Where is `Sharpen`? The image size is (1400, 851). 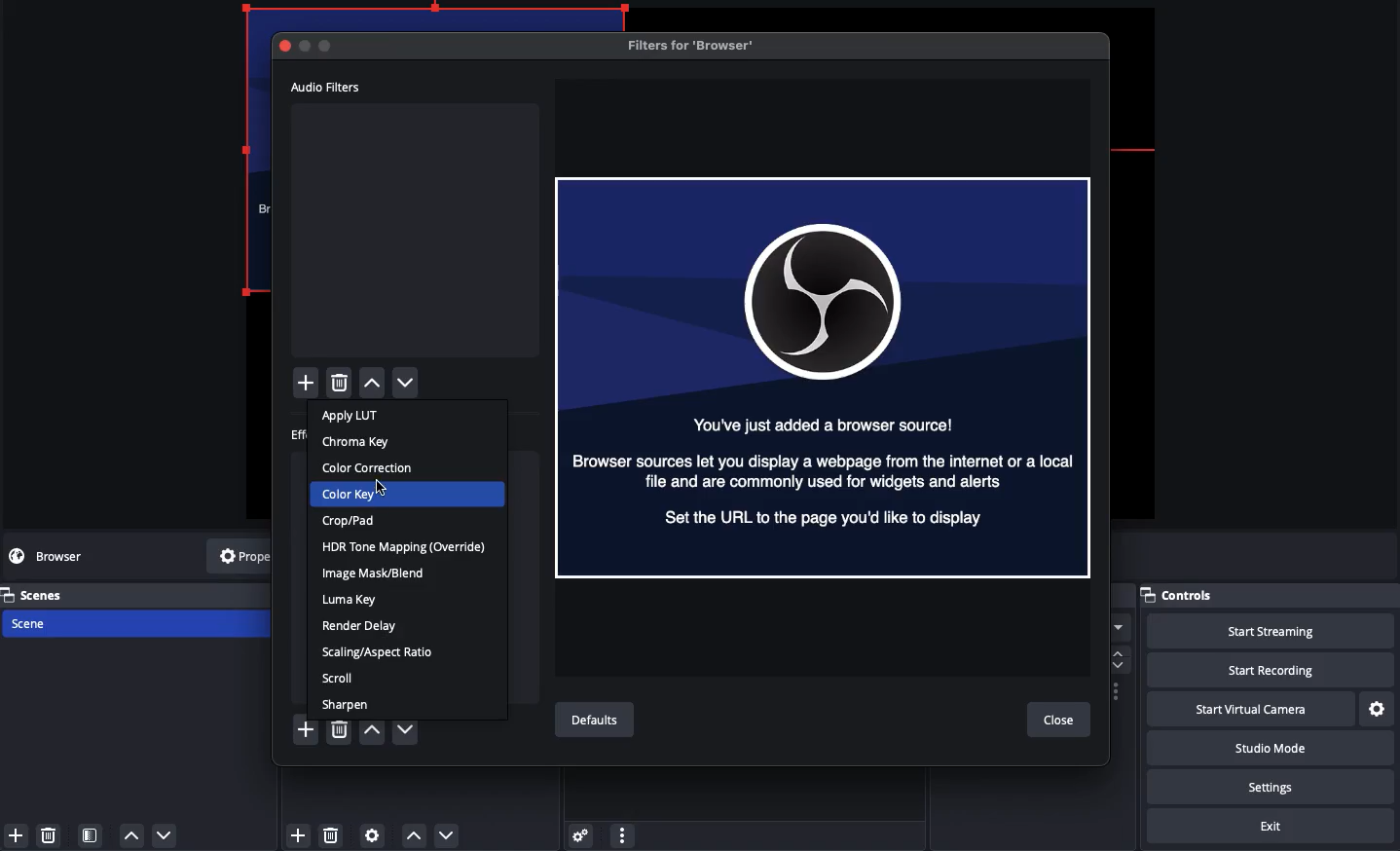
Sharpen is located at coordinates (346, 703).